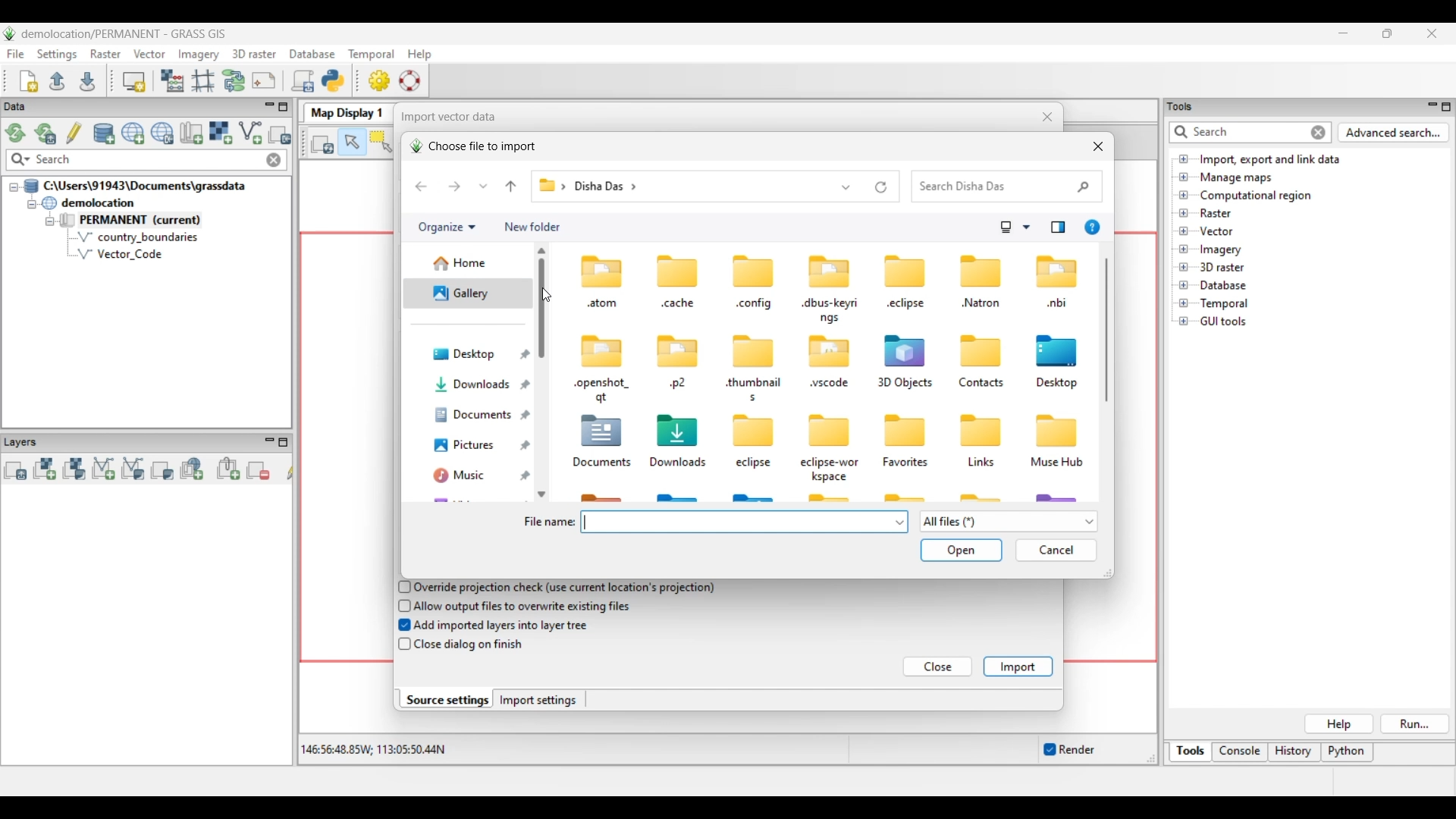  What do you see at coordinates (134, 82) in the screenshot?
I see `Start new map display` at bounding box center [134, 82].